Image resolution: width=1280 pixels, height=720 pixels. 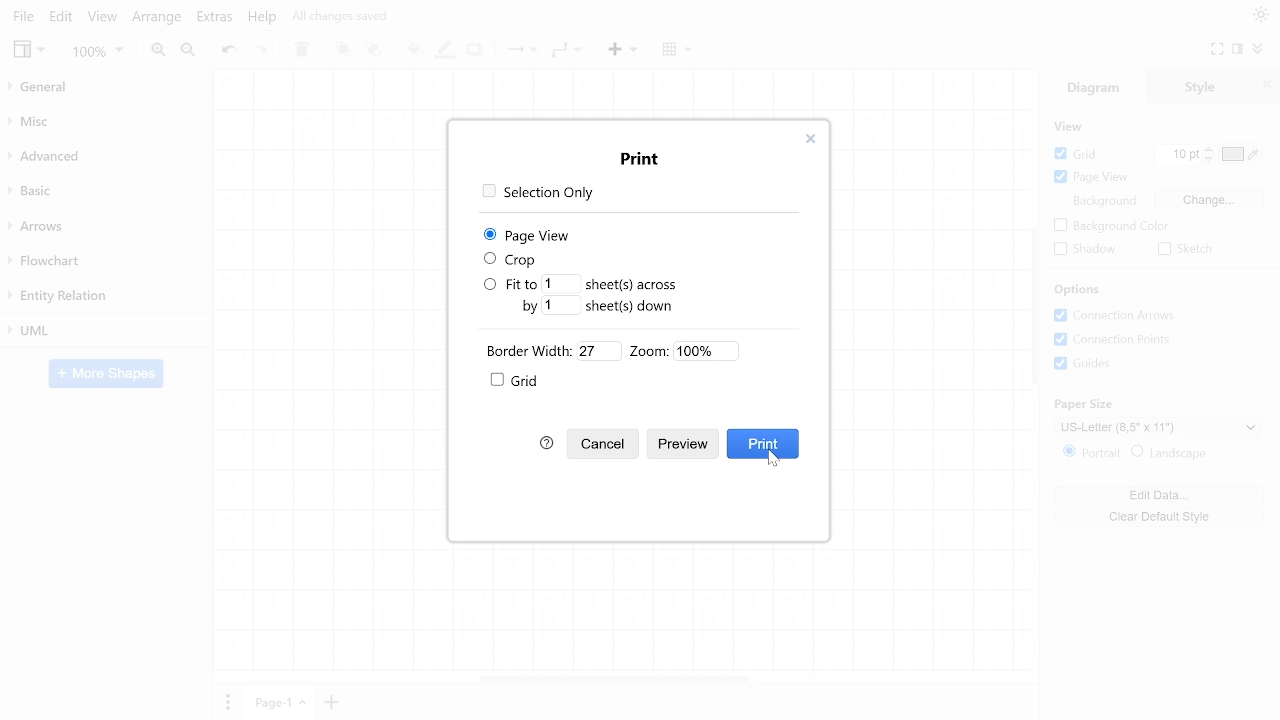 I want to click on Grid, so click(x=517, y=381).